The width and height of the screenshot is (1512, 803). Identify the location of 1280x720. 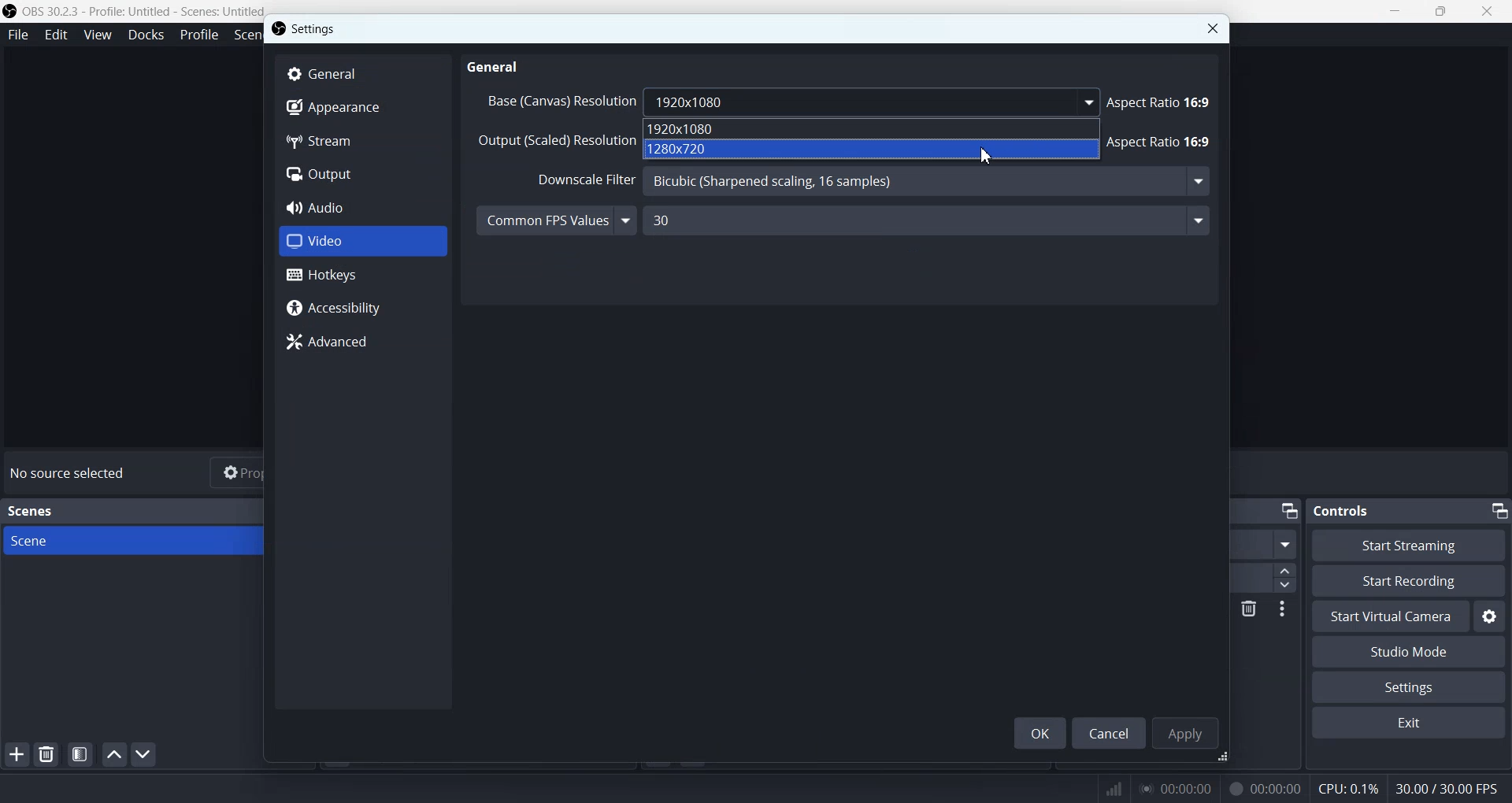
(873, 150).